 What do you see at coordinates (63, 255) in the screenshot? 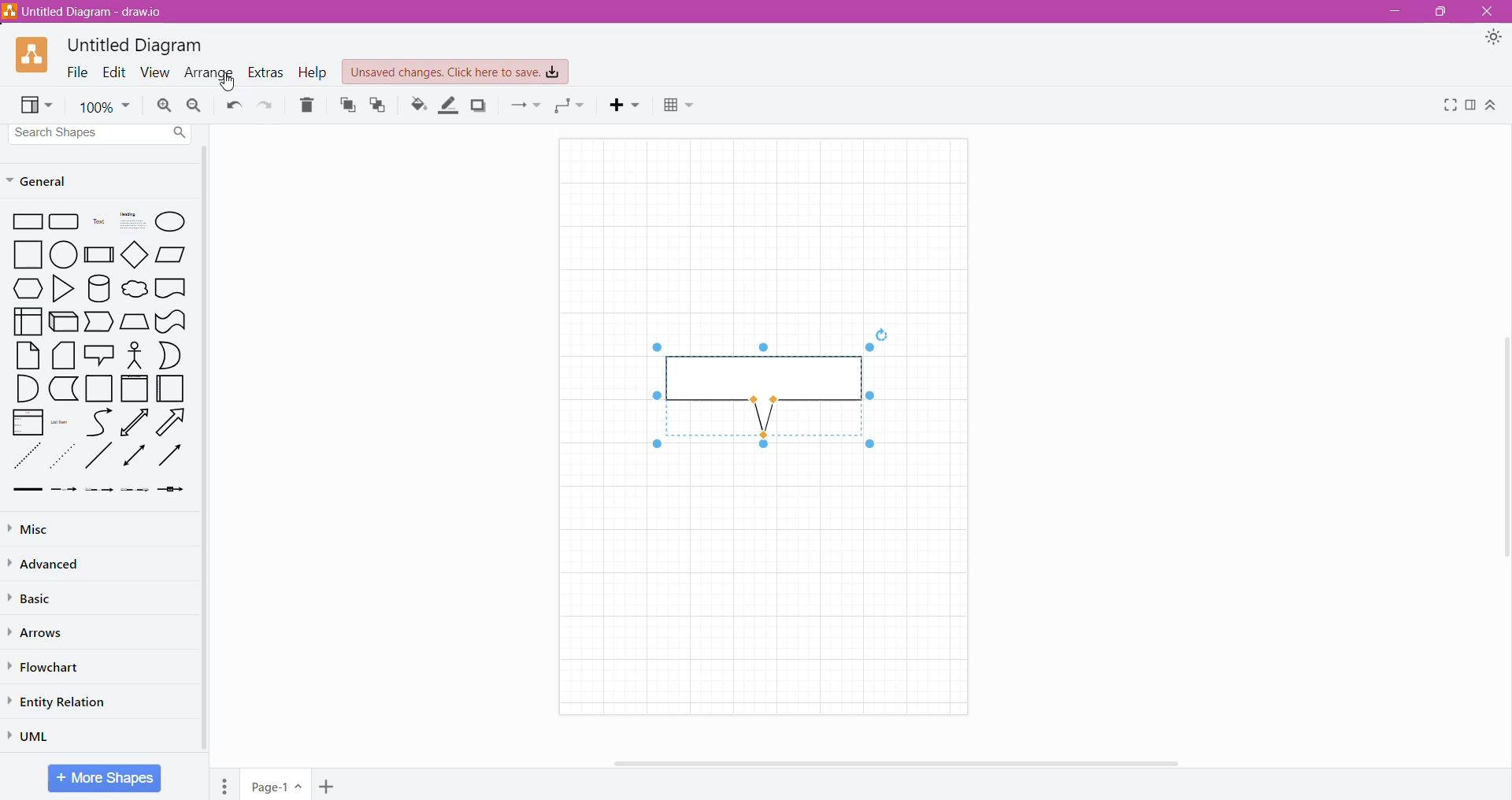
I see `circle` at bounding box center [63, 255].